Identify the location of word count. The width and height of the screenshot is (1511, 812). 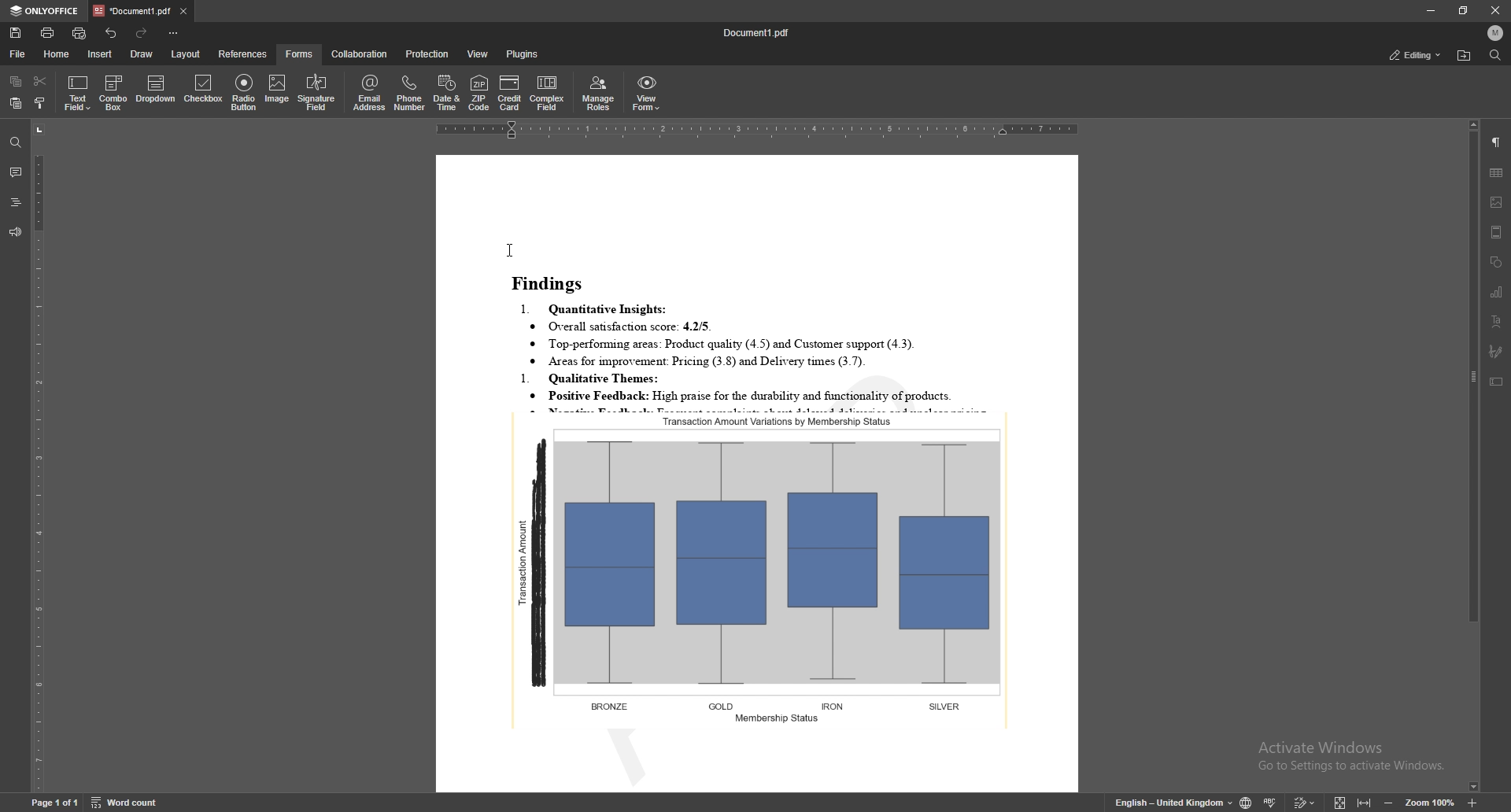
(133, 803).